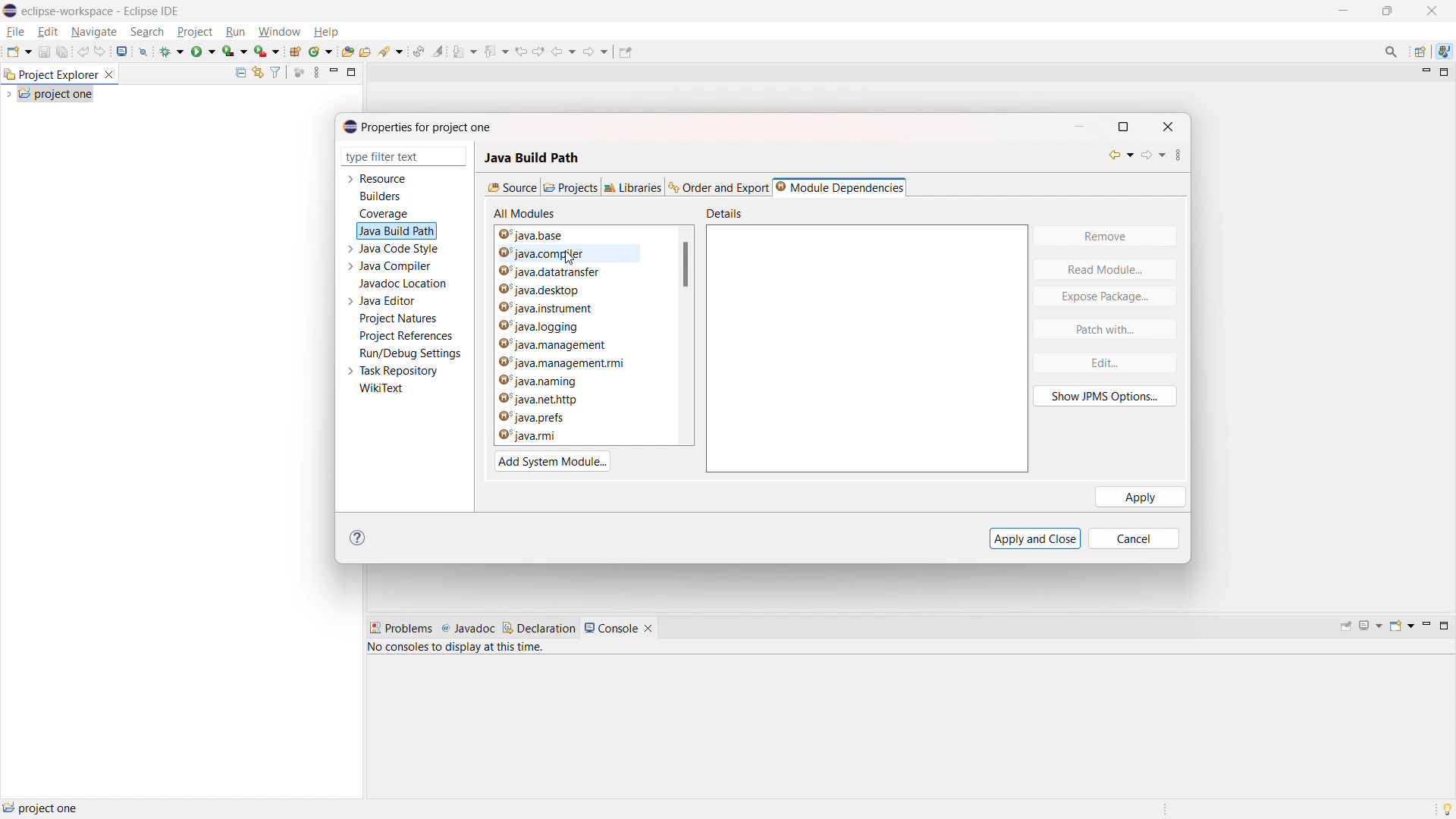 The height and width of the screenshot is (819, 1456). Describe the element at coordinates (648, 629) in the screenshot. I see `close console` at that location.